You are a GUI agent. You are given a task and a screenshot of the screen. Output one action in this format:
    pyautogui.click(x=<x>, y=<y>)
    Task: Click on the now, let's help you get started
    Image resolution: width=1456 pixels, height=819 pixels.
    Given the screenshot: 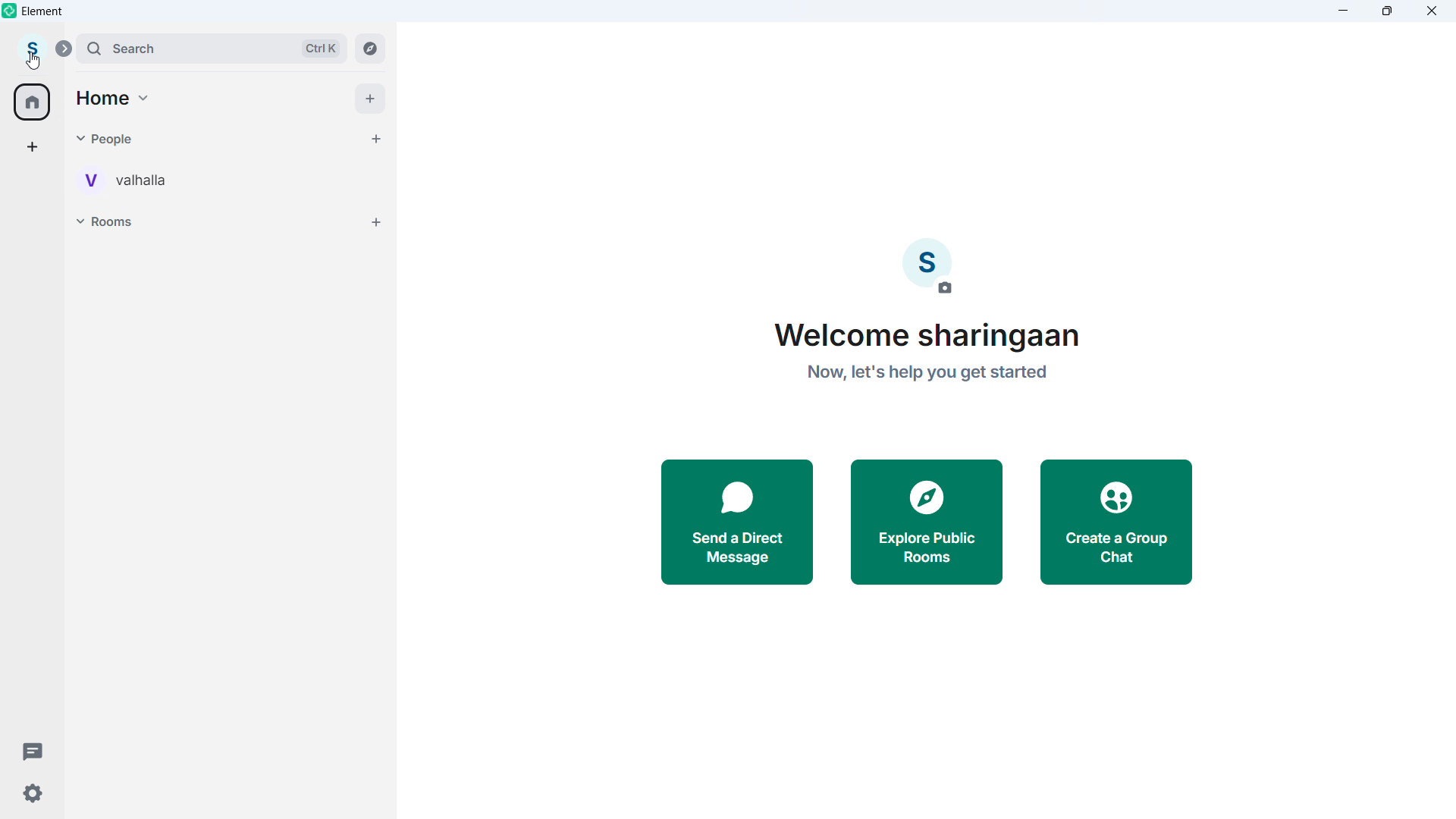 What is the action you would take?
    pyautogui.click(x=927, y=378)
    